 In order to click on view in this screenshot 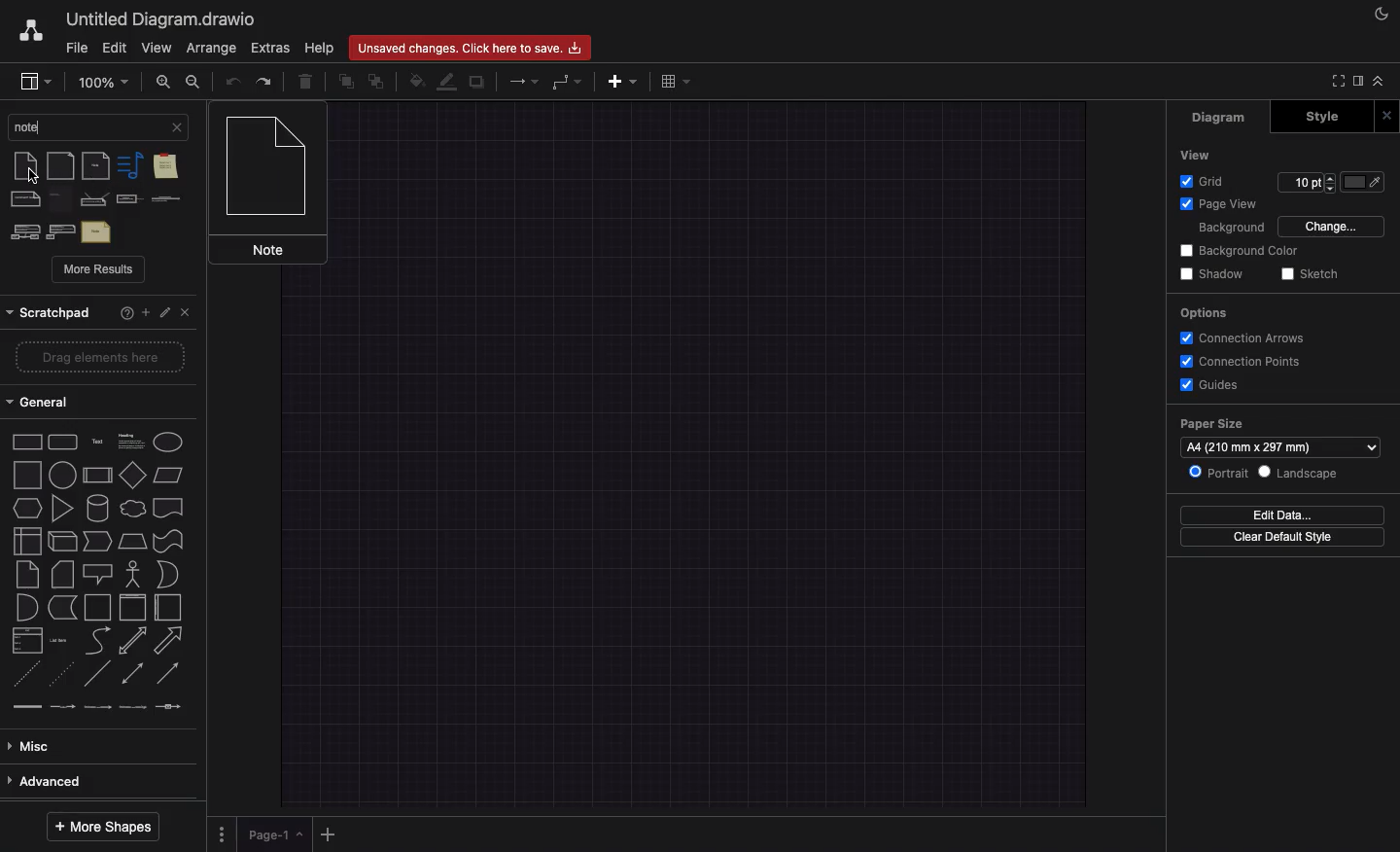, I will do `click(39, 79)`.